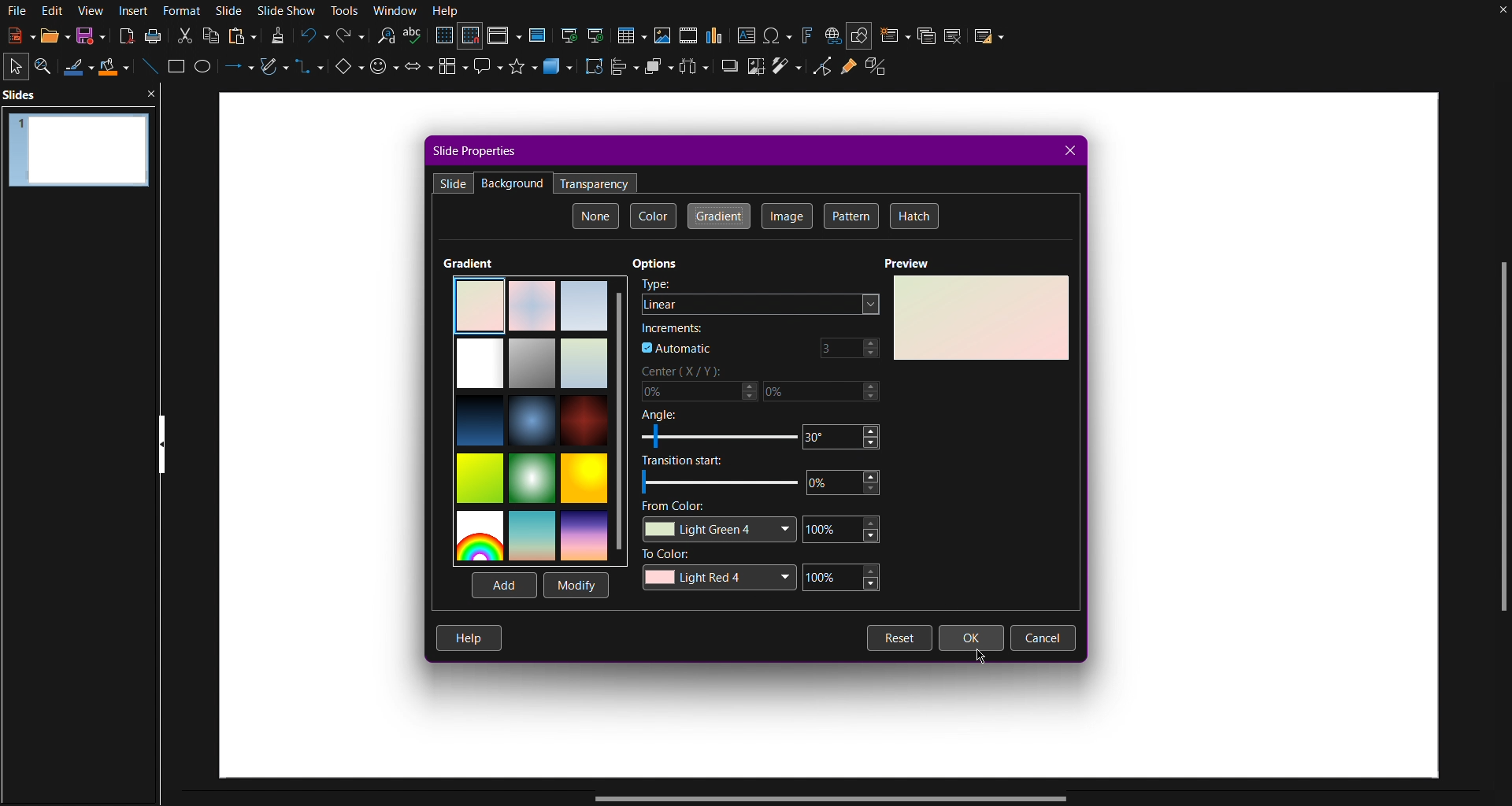 The width and height of the screenshot is (1512, 806). What do you see at coordinates (764, 386) in the screenshot?
I see `Center X/Y %` at bounding box center [764, 386].